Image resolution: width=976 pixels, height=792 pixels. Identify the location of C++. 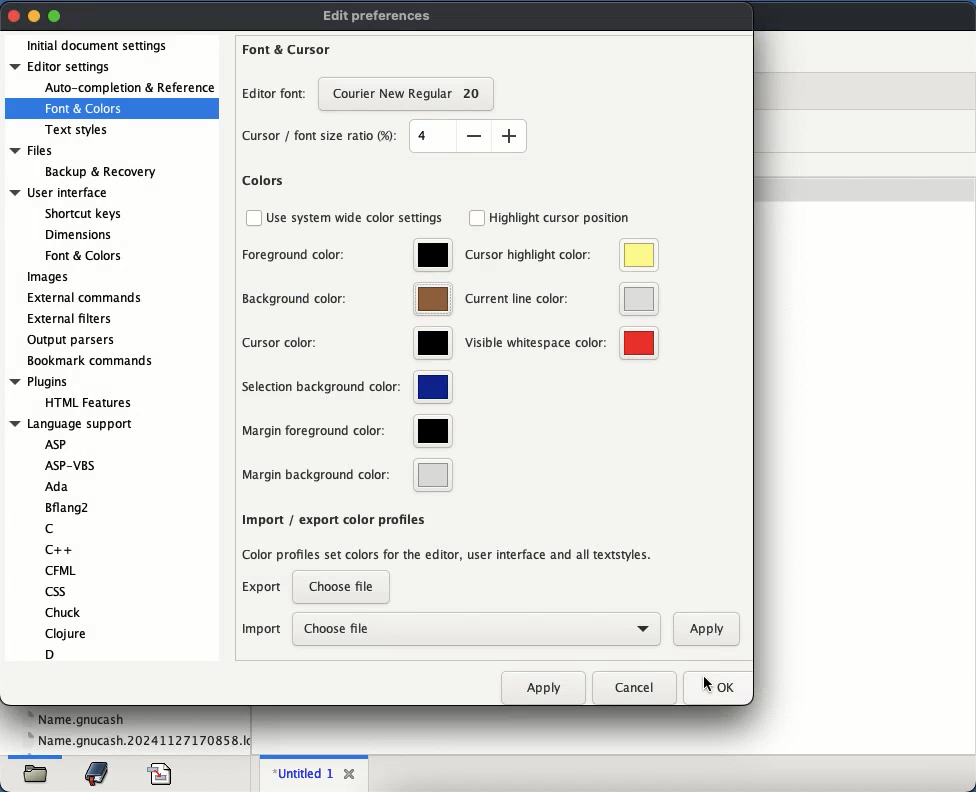
(54, 549).